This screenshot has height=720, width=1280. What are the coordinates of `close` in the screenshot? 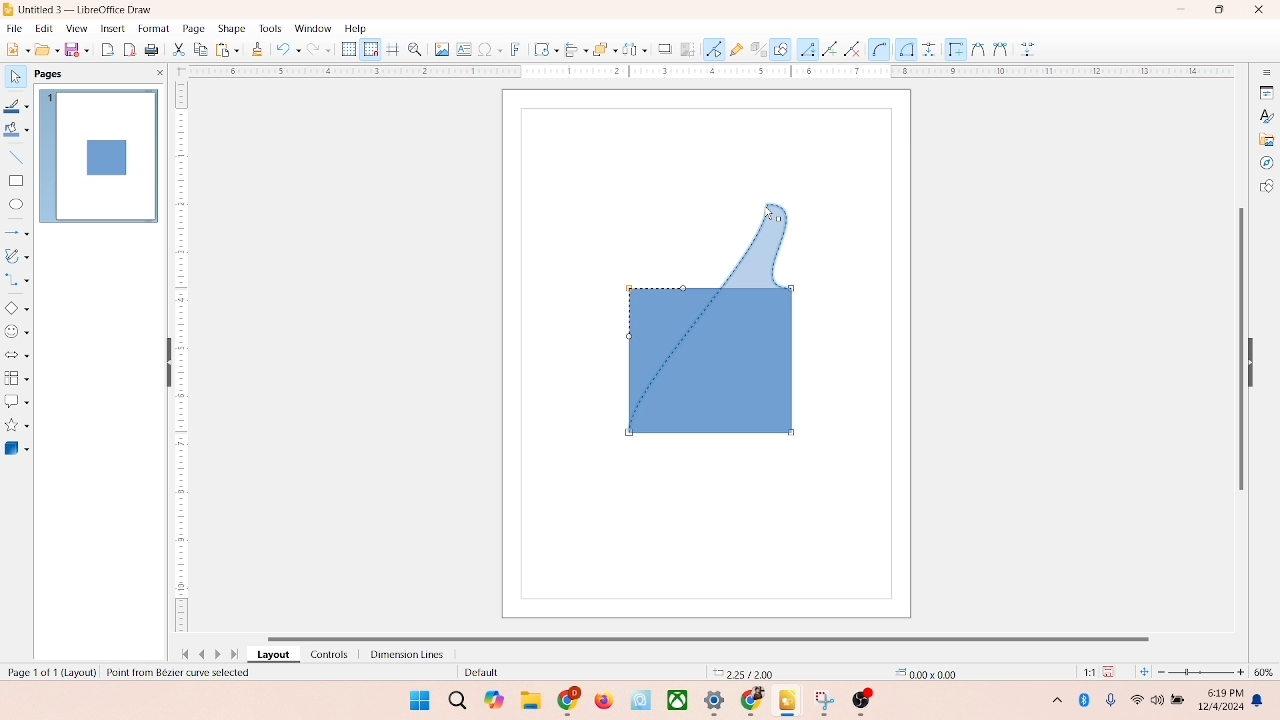 It's located at (156, 73).